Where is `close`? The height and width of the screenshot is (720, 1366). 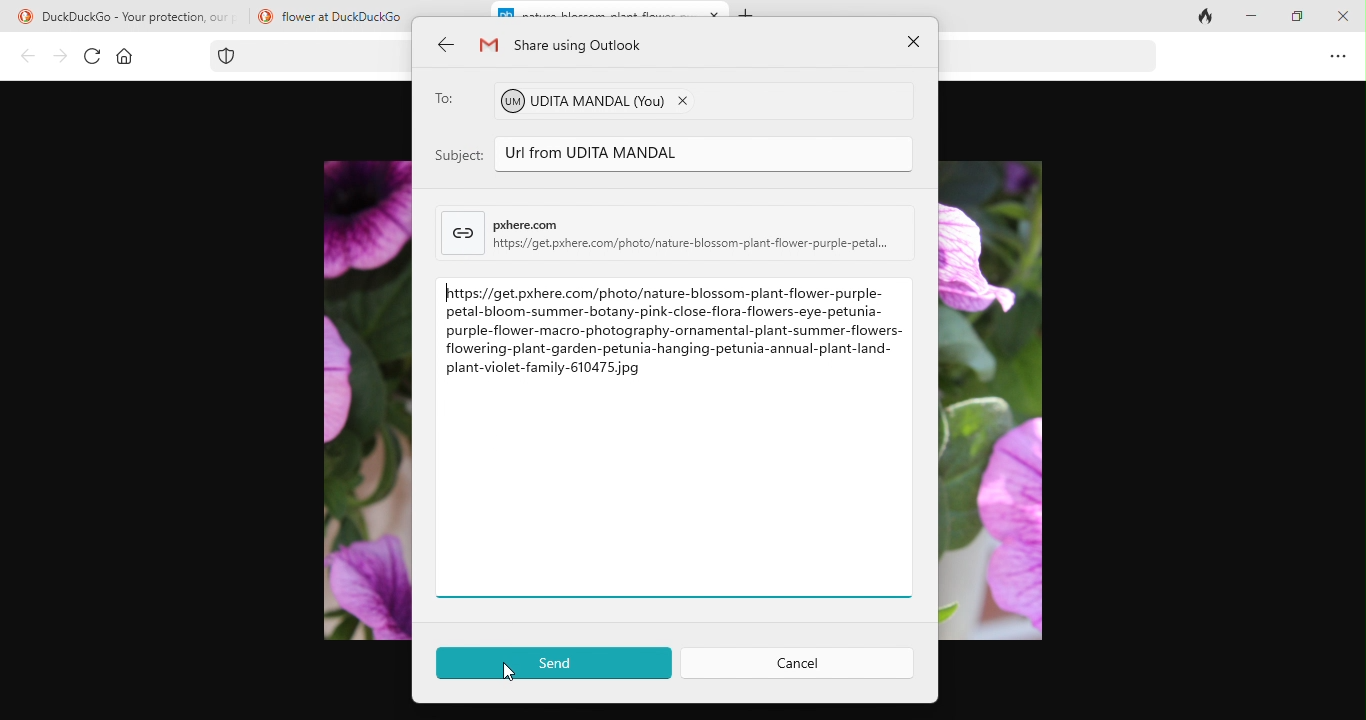 close is located at coordinates (718, 11).